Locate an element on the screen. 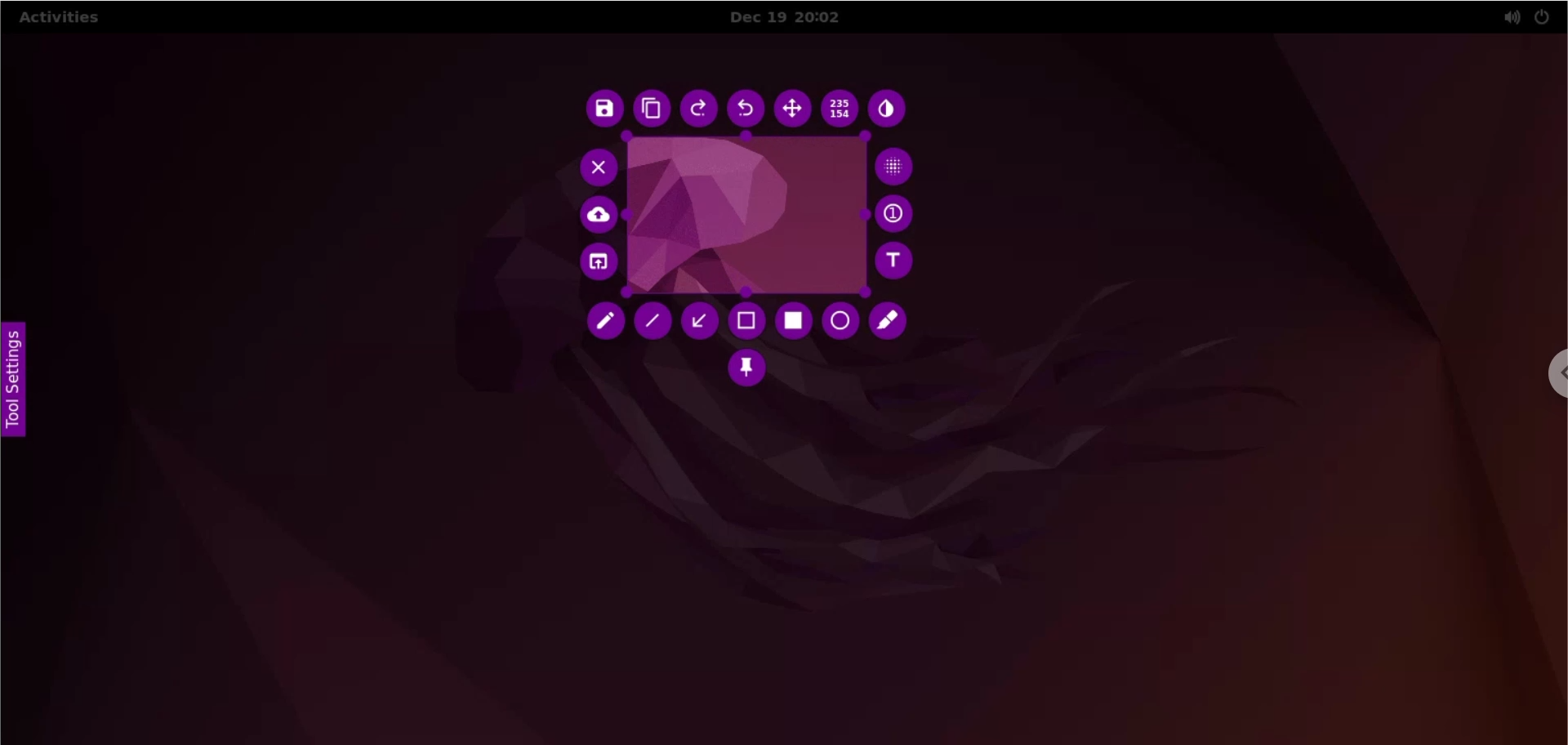  rectangle tool is located at coordinates (797, 320).